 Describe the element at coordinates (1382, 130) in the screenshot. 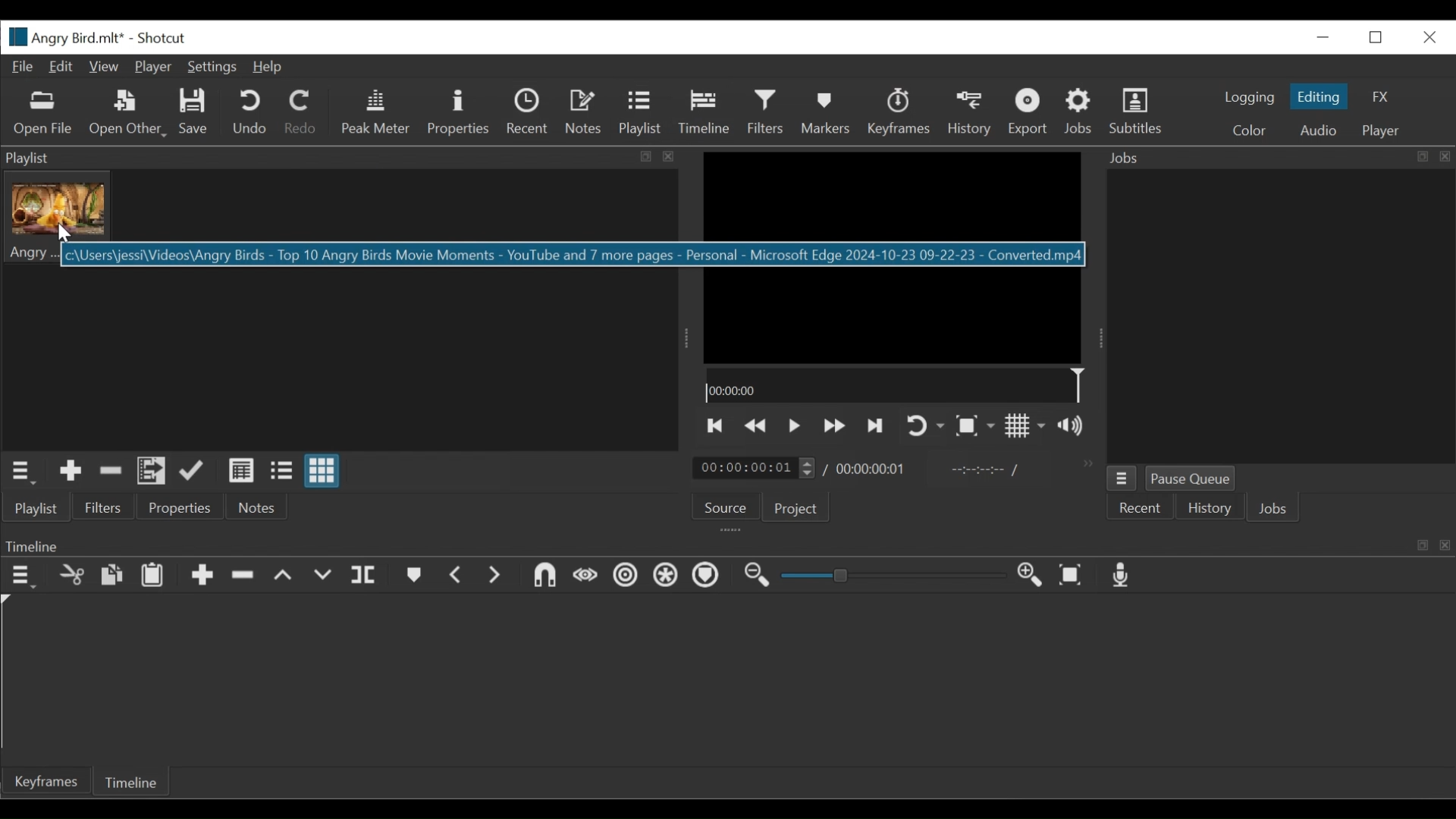

I see `Player` at that location.